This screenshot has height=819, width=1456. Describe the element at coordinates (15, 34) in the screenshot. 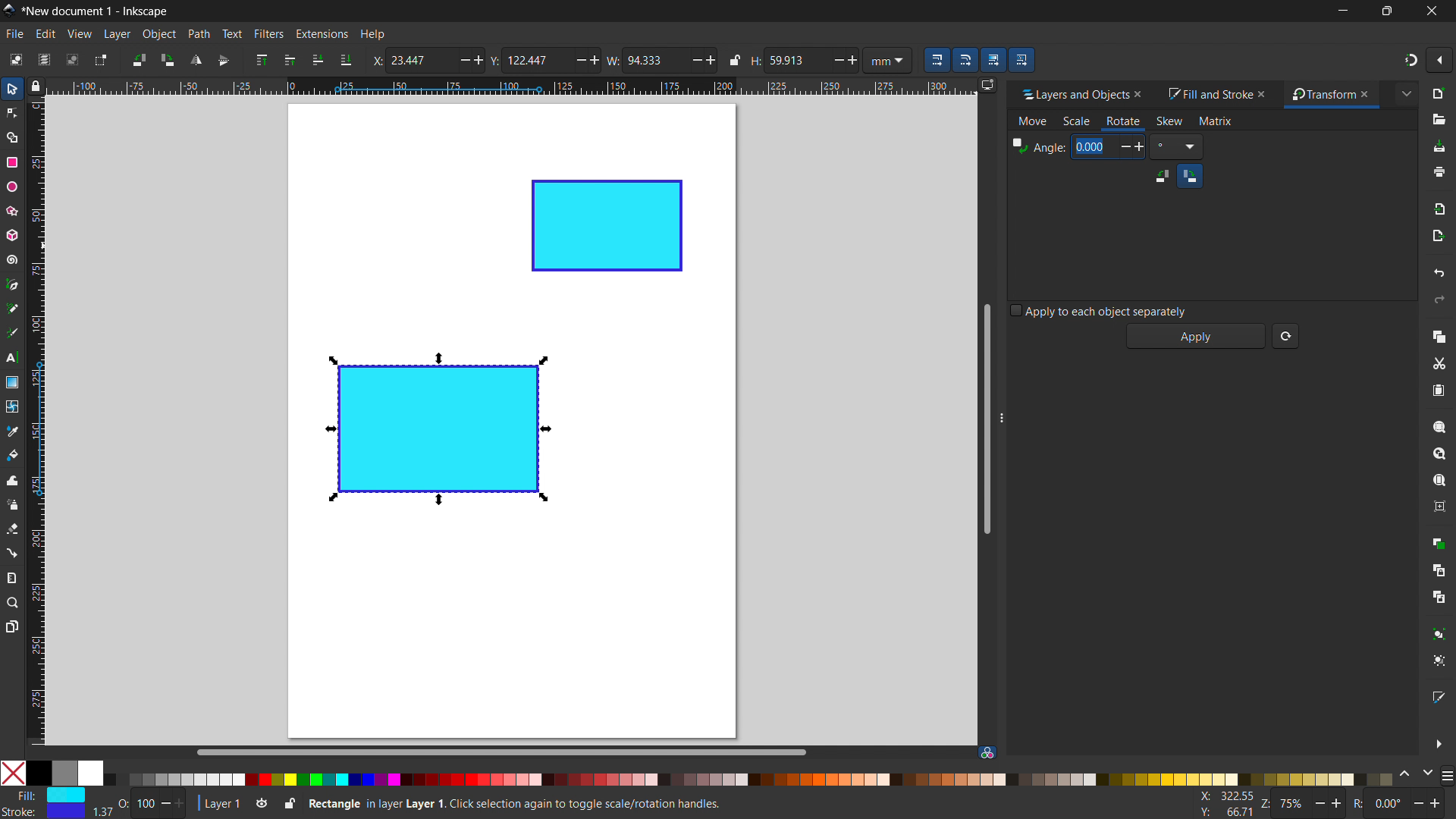

I see `file` at that location.